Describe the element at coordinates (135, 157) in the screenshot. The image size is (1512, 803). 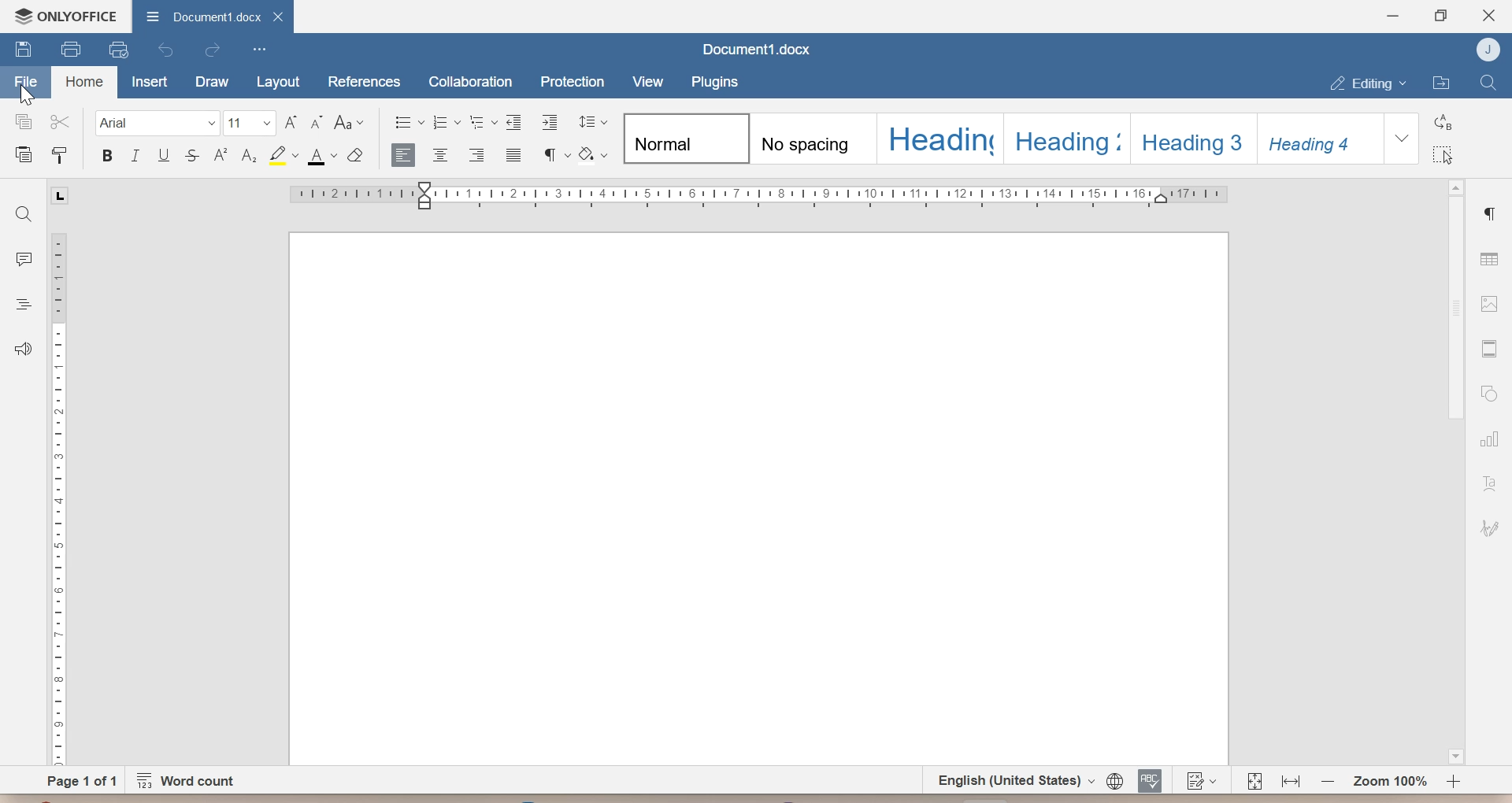
I see `Itallic` at that location.